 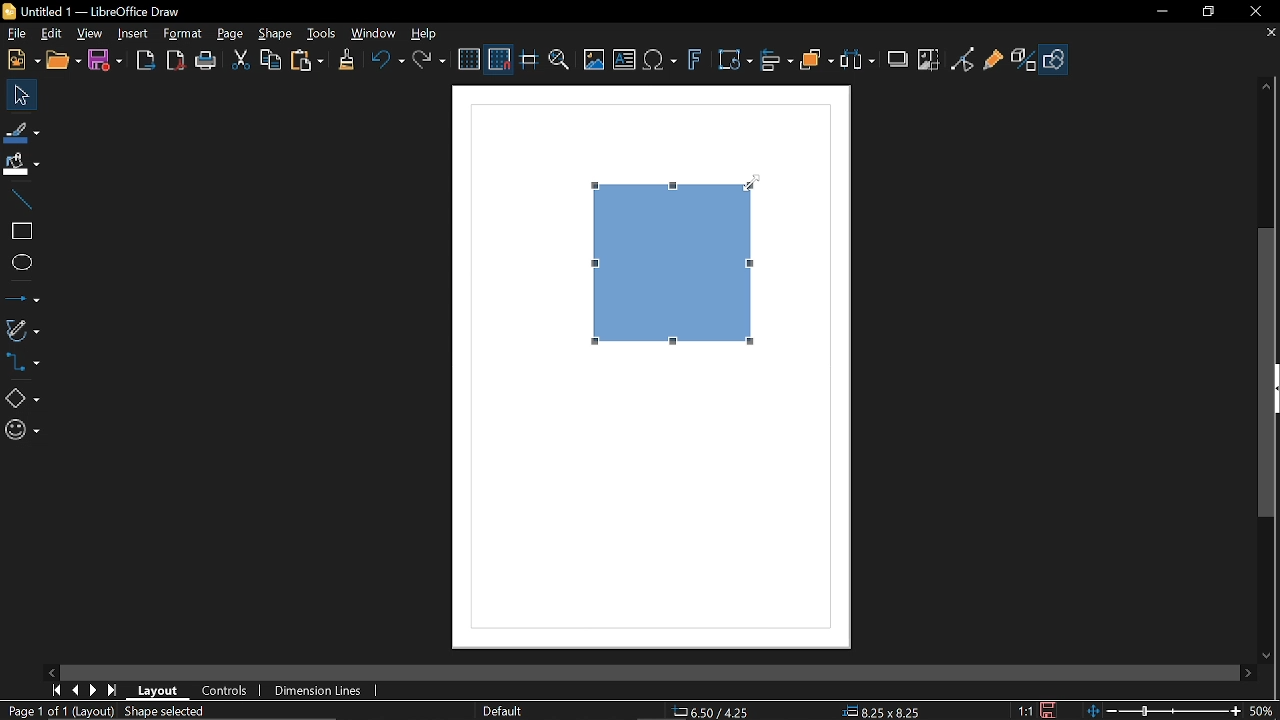 I want to click on HElp, so click(x=427, y=36).